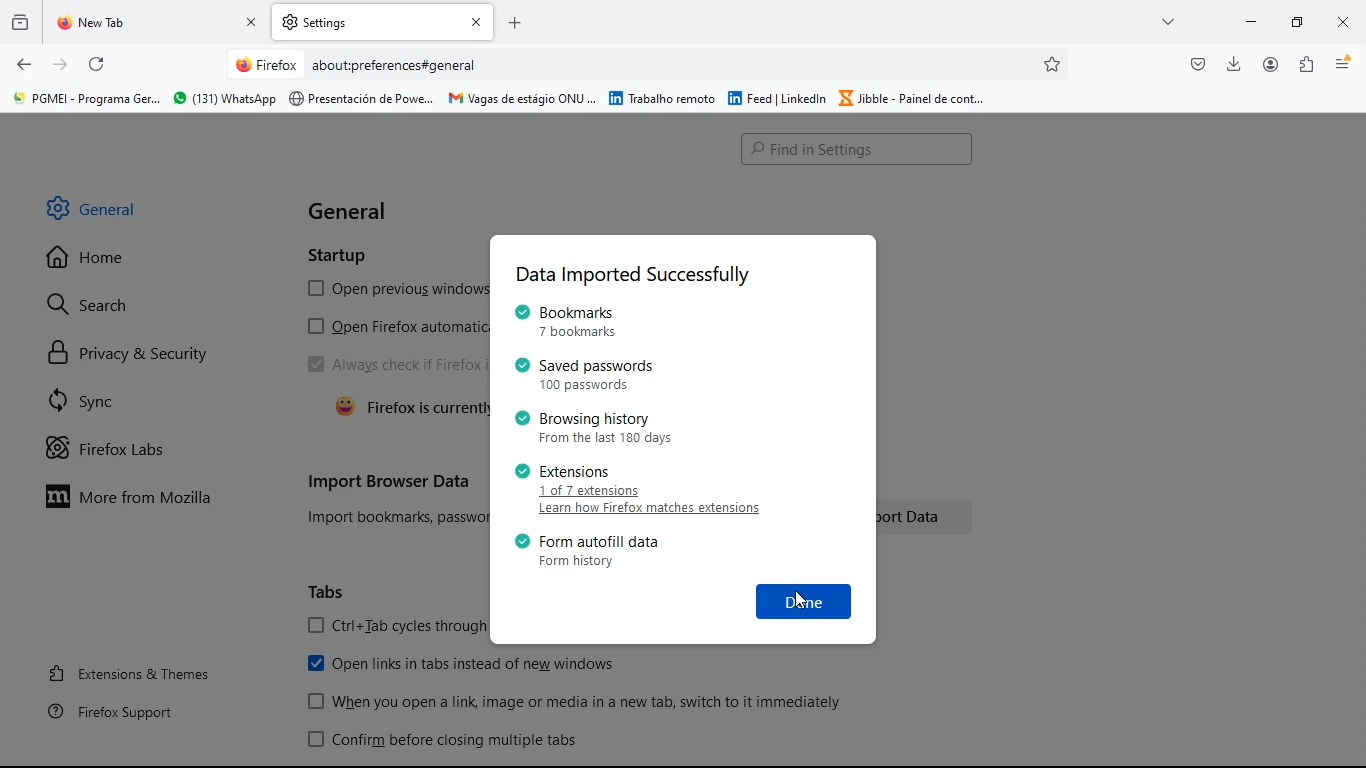 Image resolution: width=1366 pixels, height=768 pixels. I want to click on Firefox, so click(266, 64).